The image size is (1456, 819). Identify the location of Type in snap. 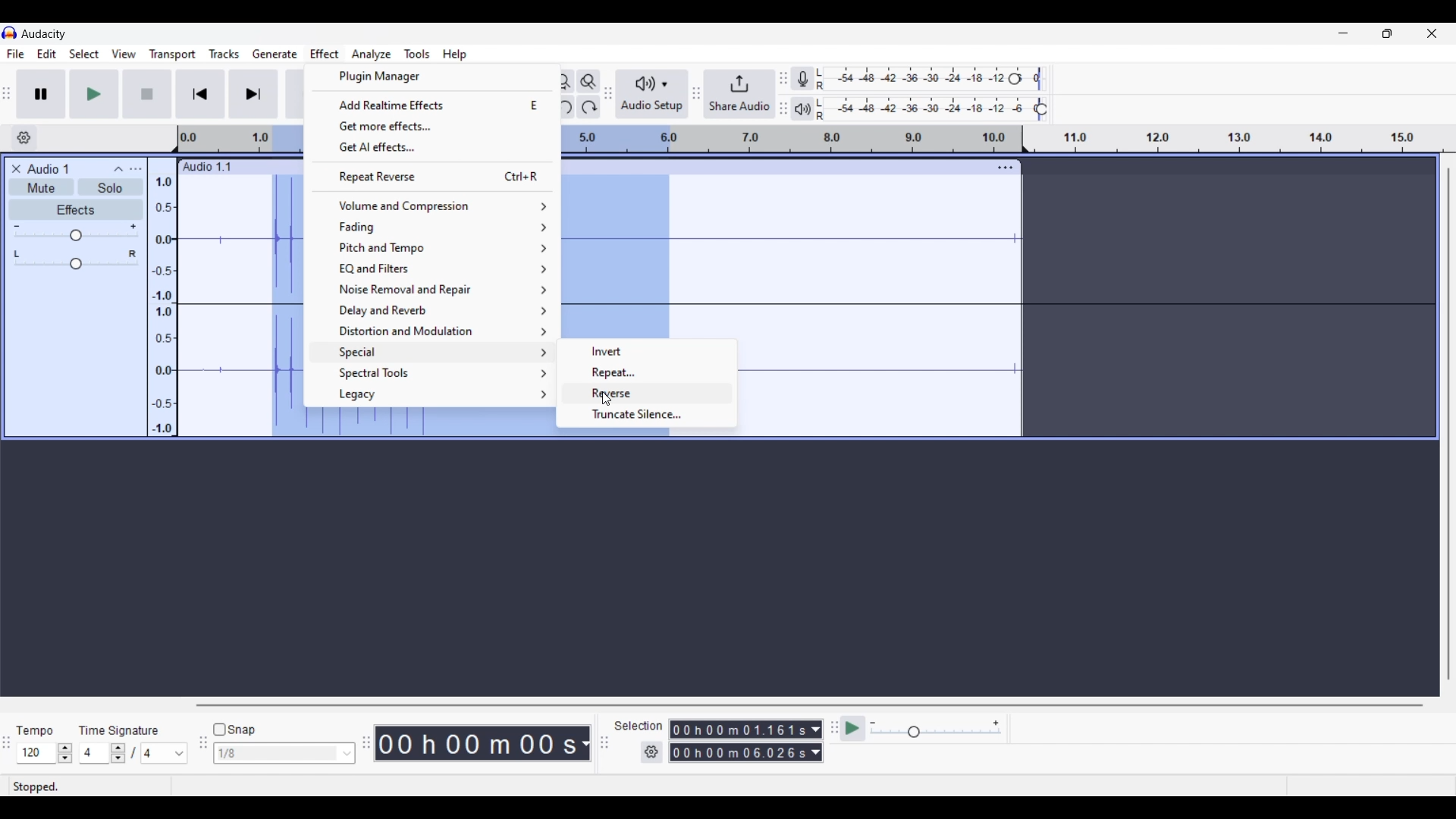
(277, 754).